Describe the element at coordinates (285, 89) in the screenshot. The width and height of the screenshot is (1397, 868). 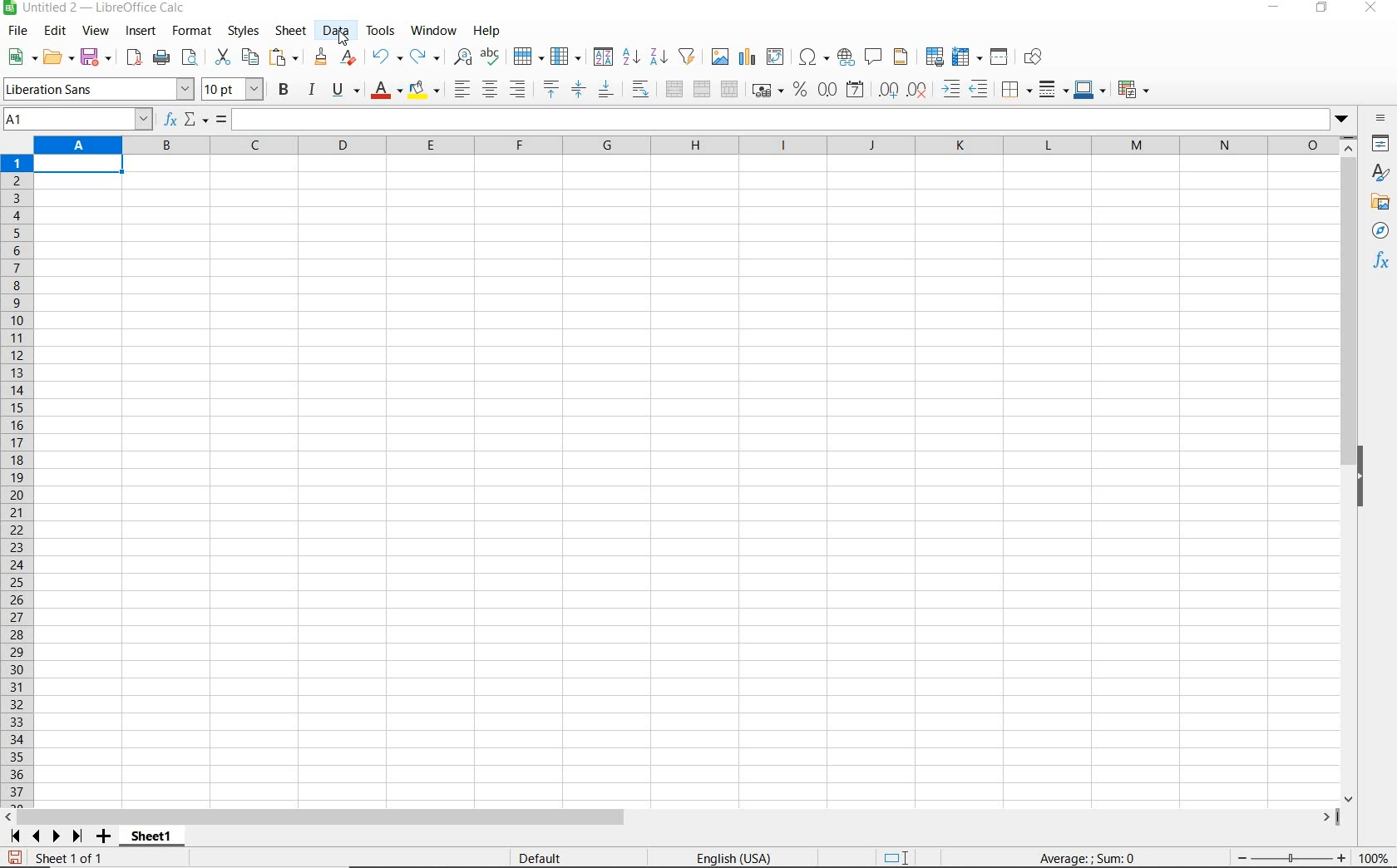
I see `bold` at that location.